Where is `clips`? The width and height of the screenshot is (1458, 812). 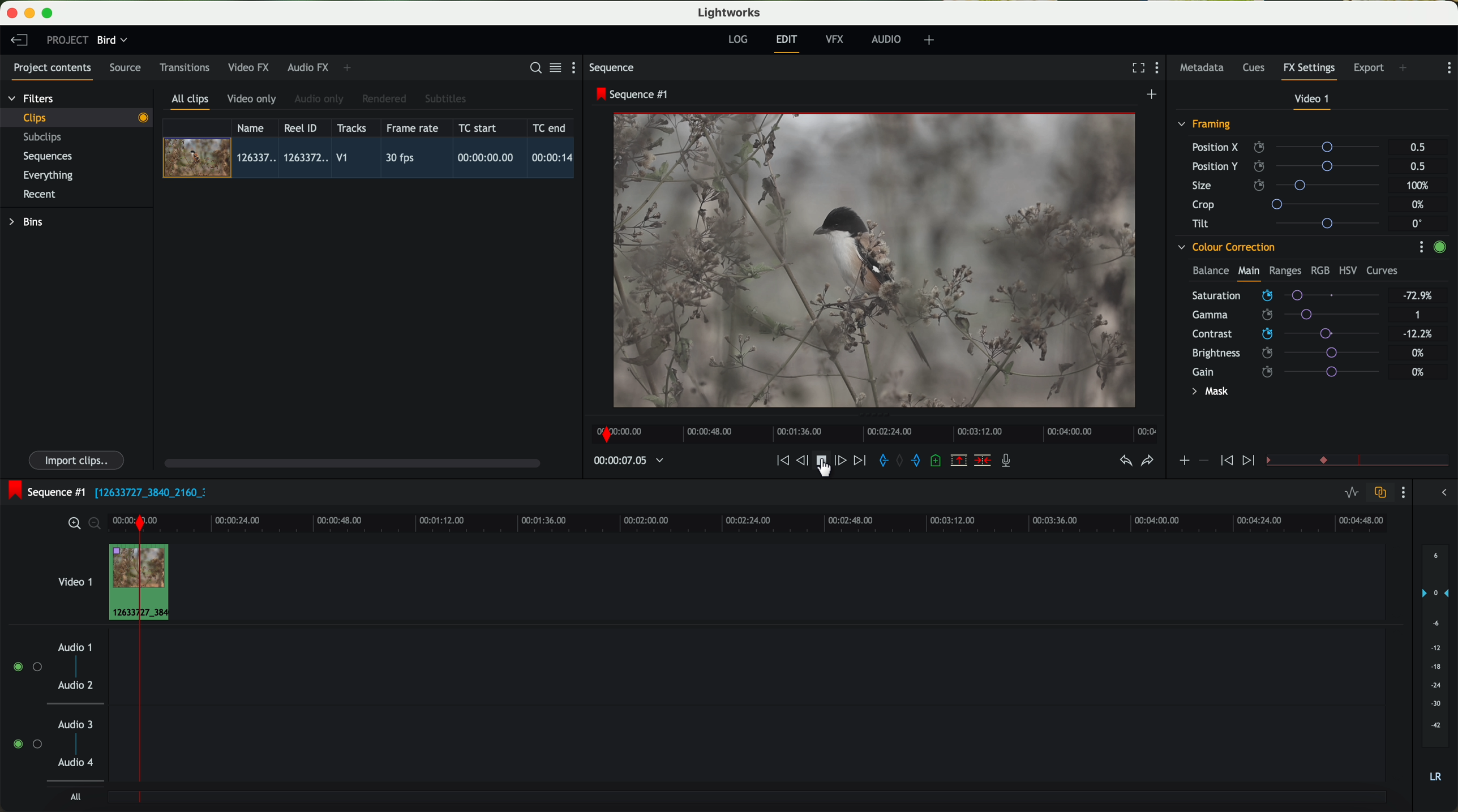 clips is located at coordinates (77, 117).